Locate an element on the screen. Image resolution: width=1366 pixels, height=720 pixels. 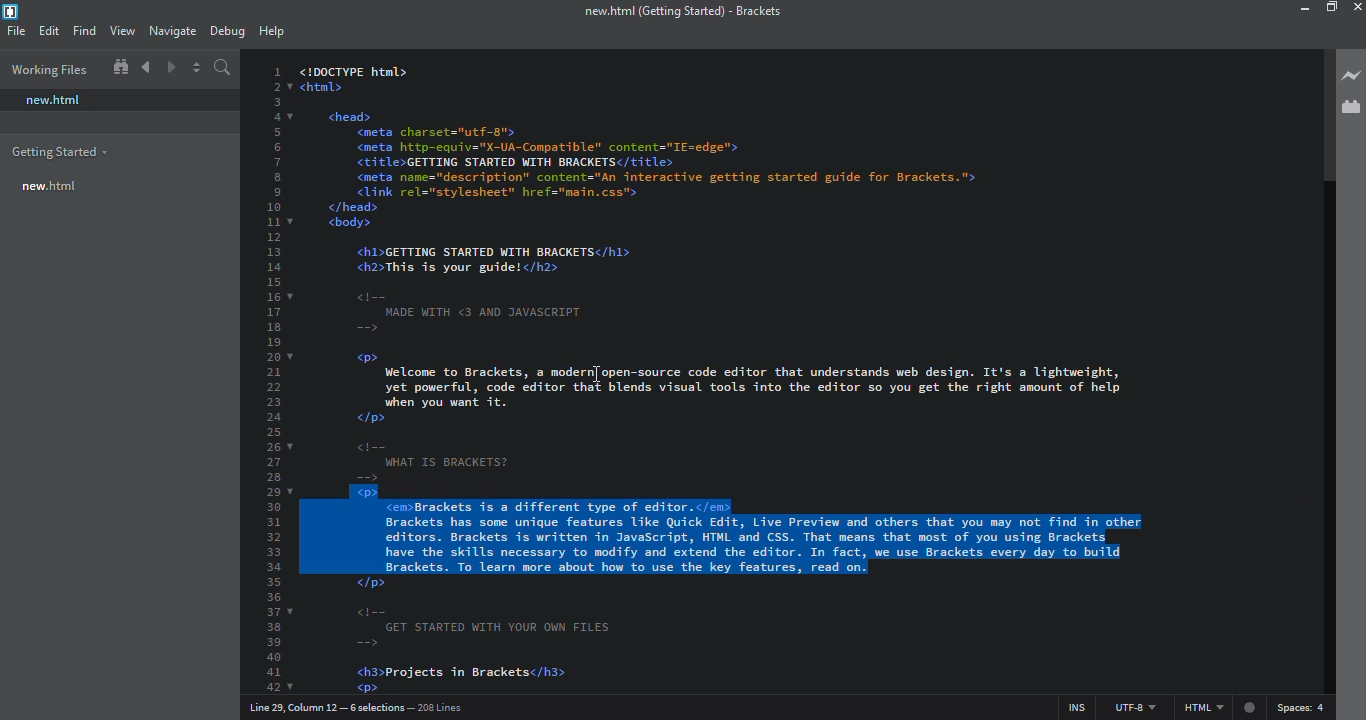
code is located at coordinates (729, 268).